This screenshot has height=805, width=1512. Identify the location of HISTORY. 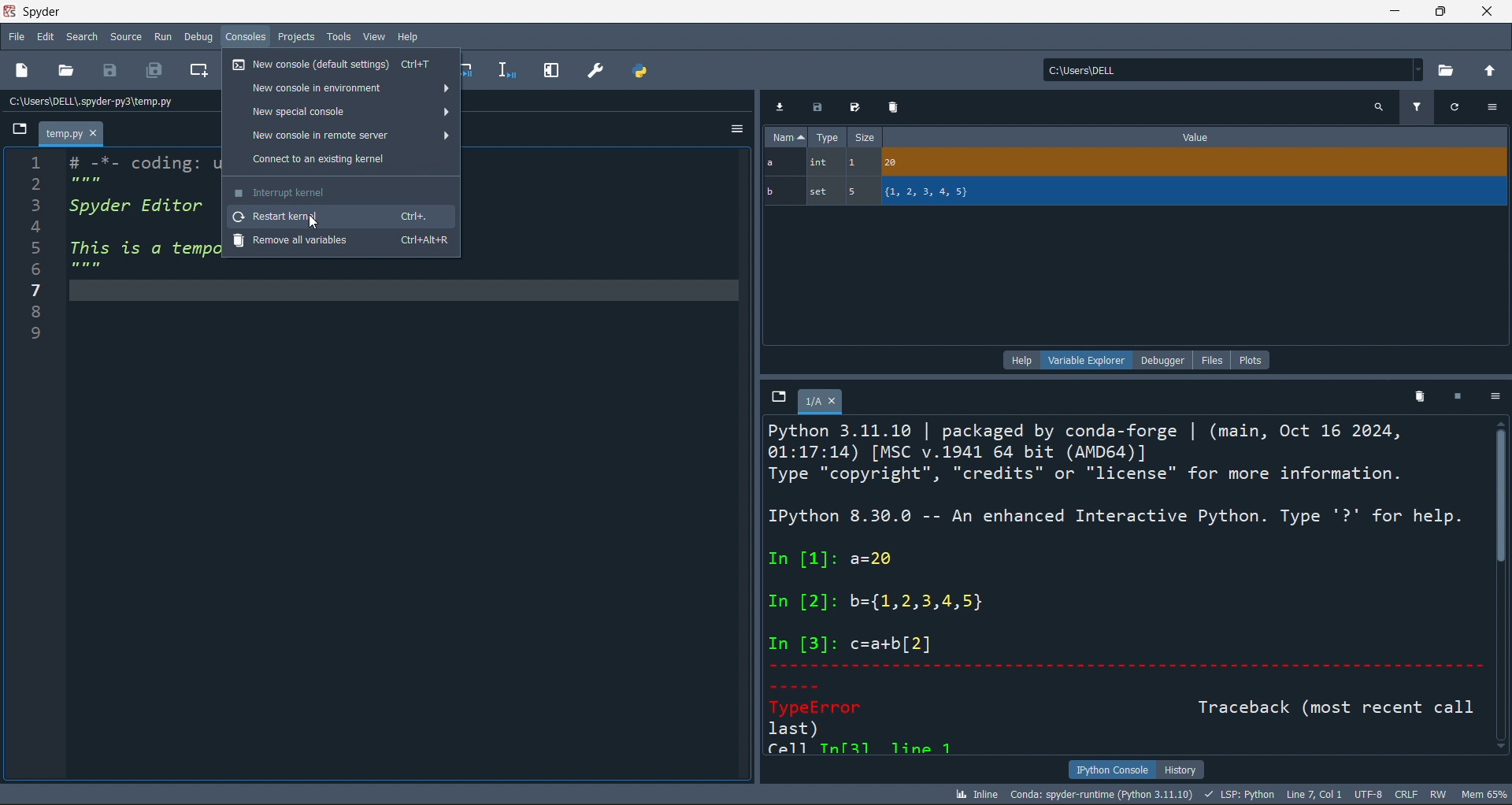
(1184, 766).